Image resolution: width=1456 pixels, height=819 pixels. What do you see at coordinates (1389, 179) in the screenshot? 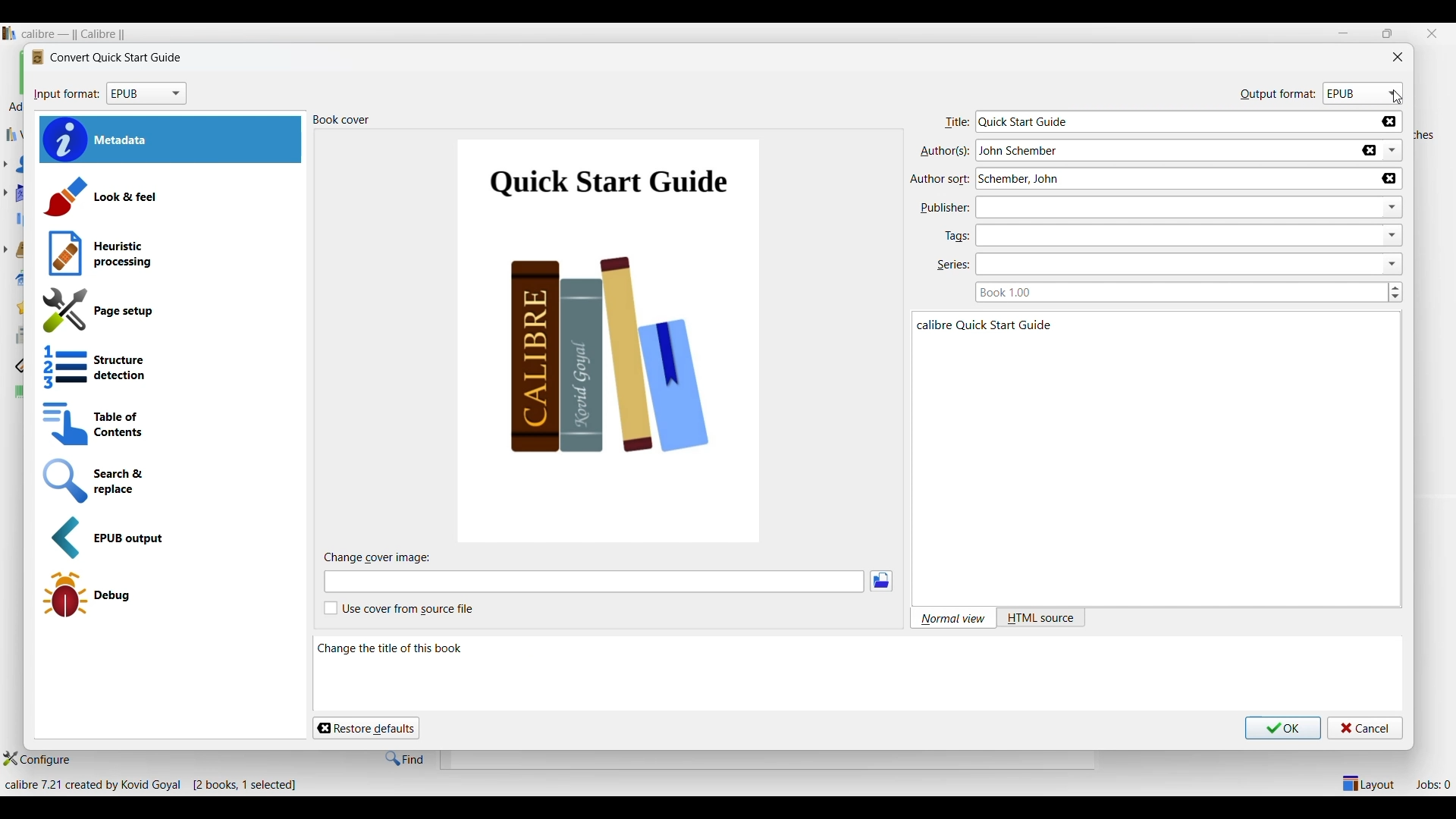
I see `Delete name` at bounding box center [1389, 179].